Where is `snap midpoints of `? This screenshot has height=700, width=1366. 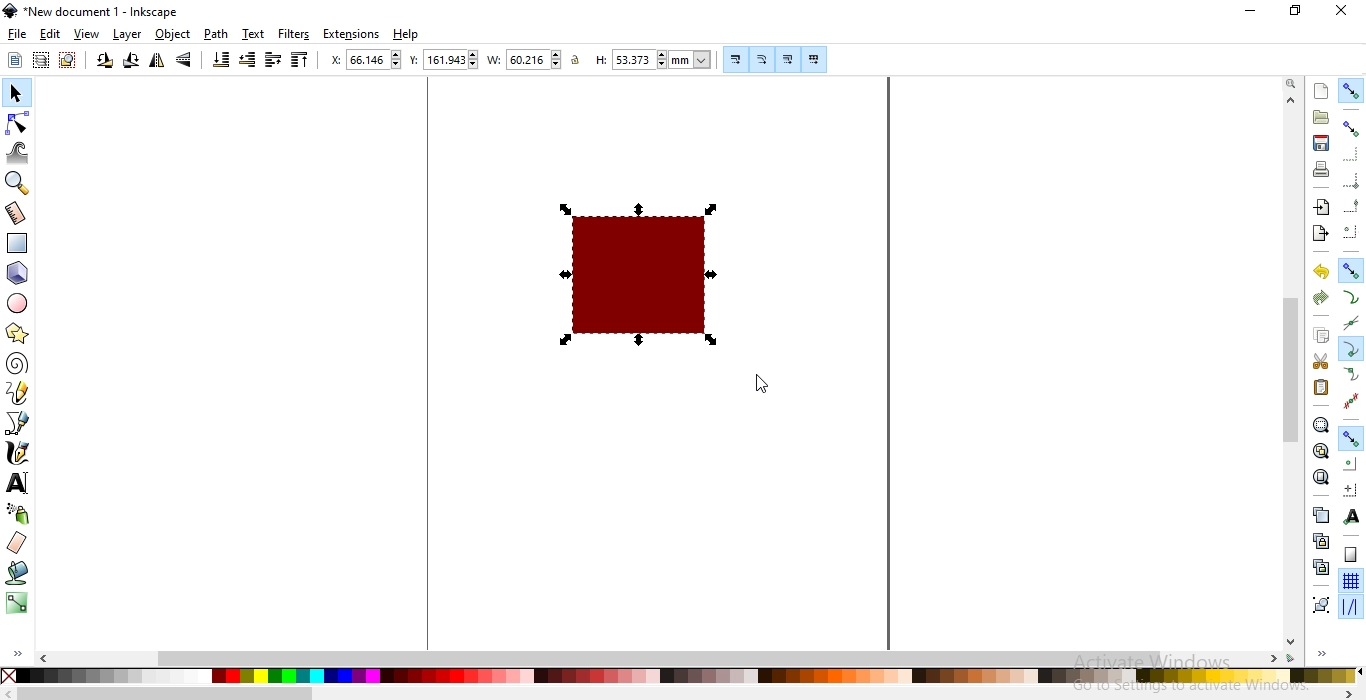
snap midpoints of  is located at coordinates (1351, 208).